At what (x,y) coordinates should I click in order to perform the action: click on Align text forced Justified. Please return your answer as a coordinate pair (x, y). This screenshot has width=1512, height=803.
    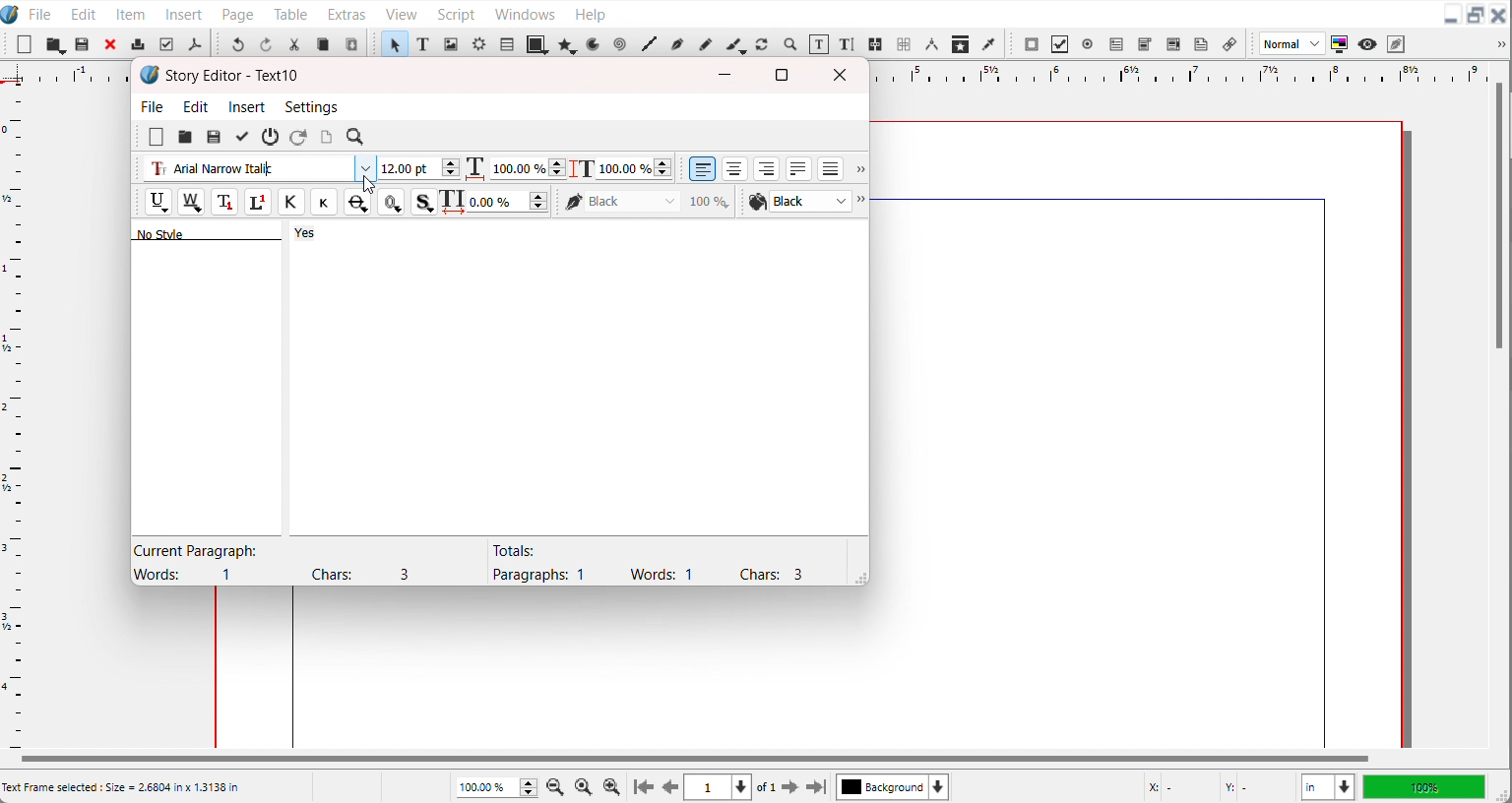
    Looking at the image, I should click on (831, 168).